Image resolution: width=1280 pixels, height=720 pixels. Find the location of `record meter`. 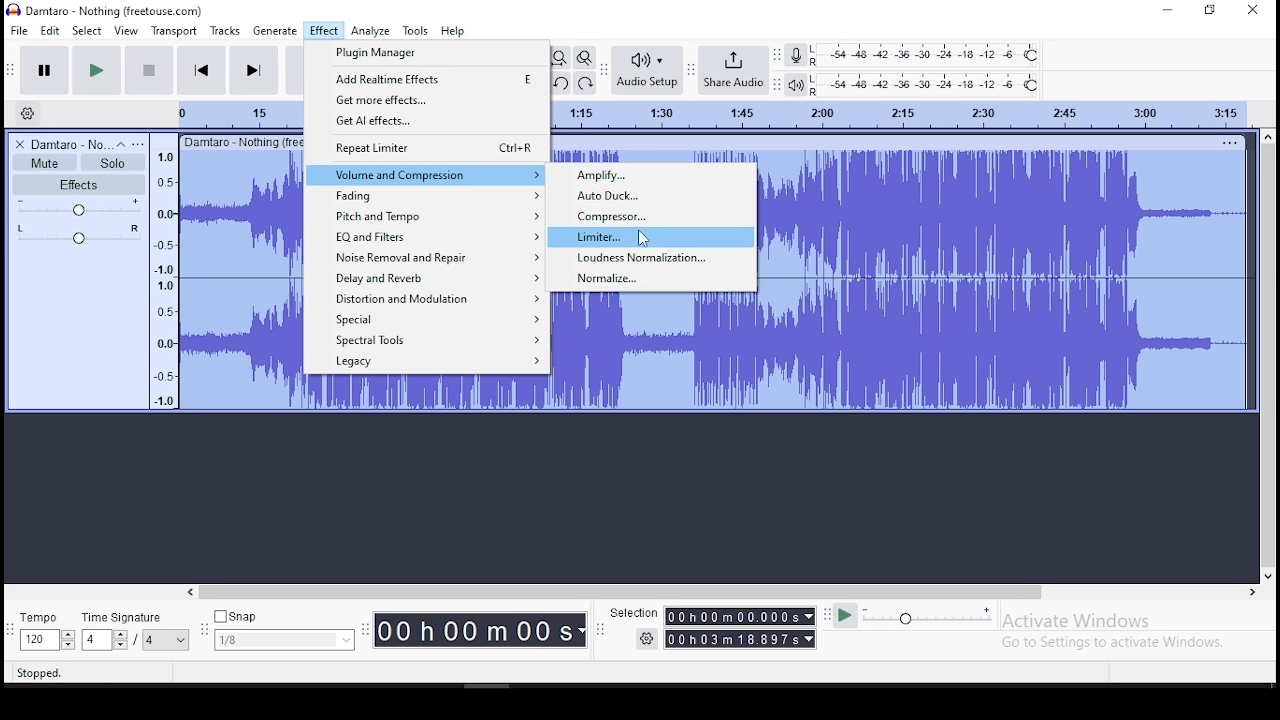

record meter is located at coordinates (796, 54).